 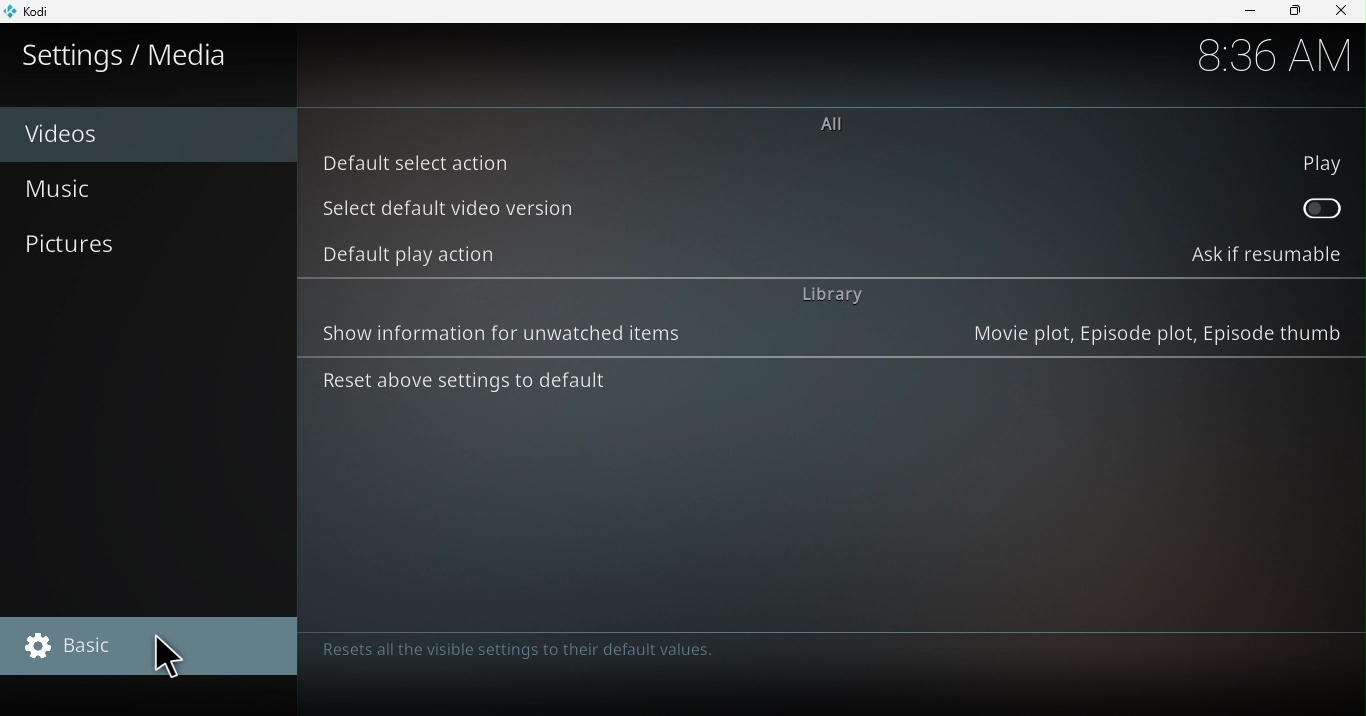 What do you see at coordinates (834, 252) in the screenshot?
I see `Default play action : Ask if resumable` at bounding box center [834, 252].